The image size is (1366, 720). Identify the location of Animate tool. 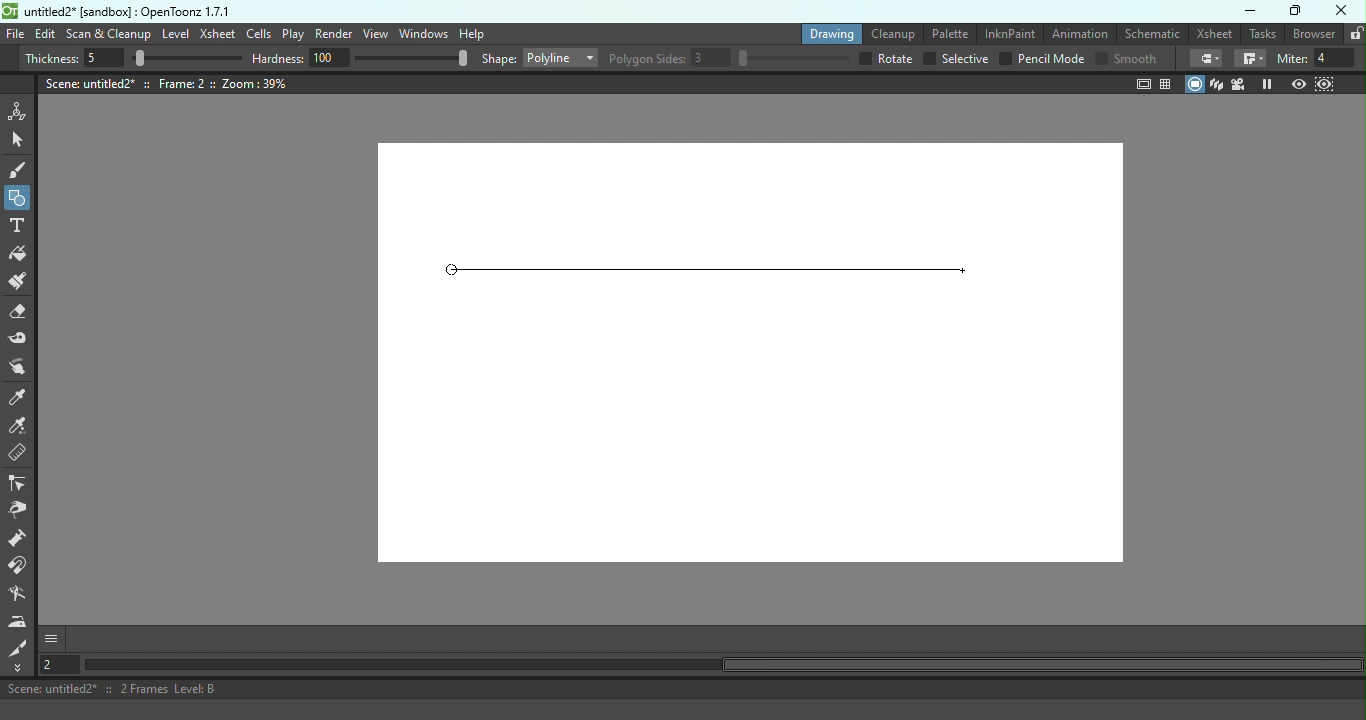
(20, 111).